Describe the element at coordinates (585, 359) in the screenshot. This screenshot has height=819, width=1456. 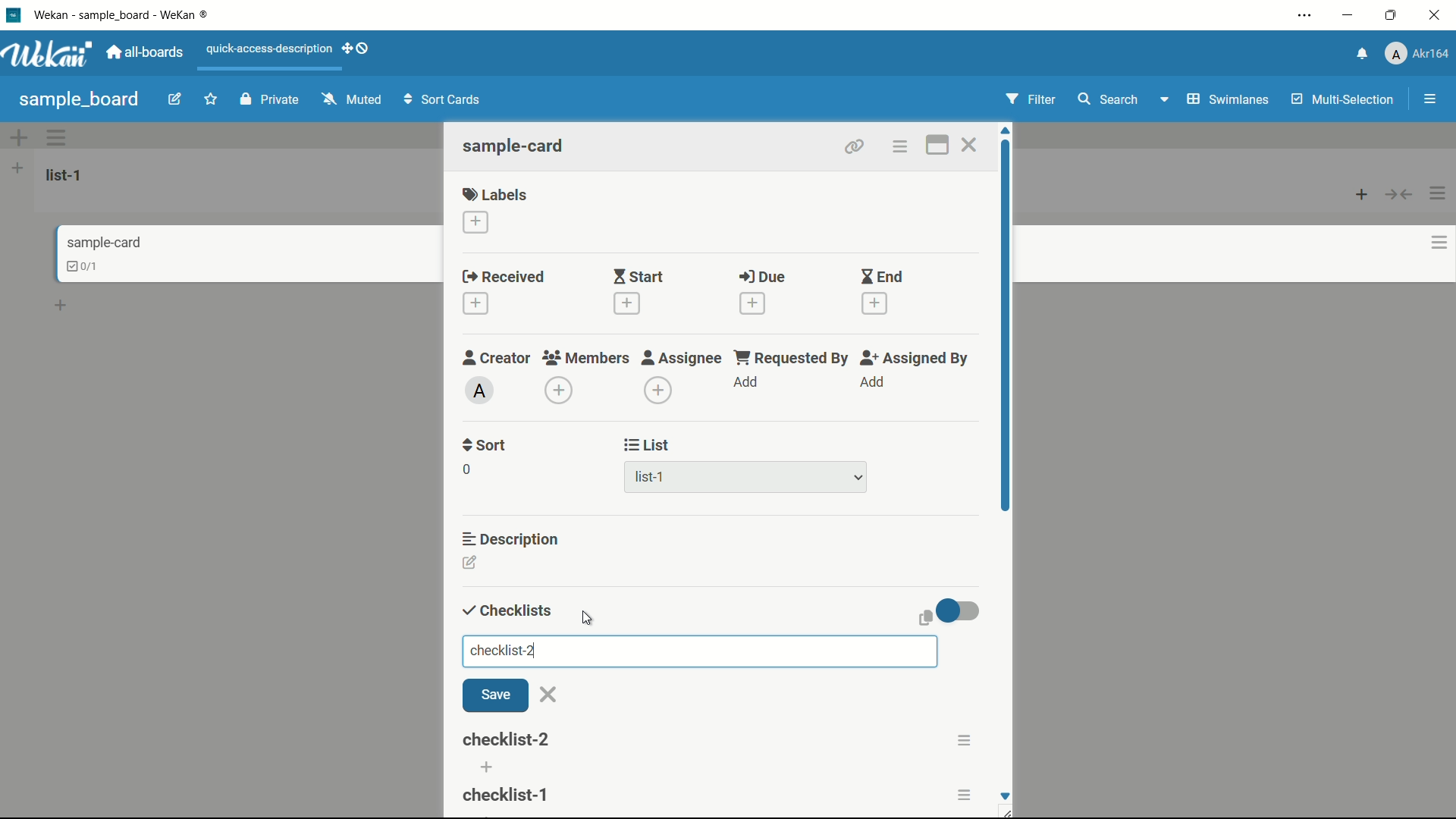
I see `members` at that location.